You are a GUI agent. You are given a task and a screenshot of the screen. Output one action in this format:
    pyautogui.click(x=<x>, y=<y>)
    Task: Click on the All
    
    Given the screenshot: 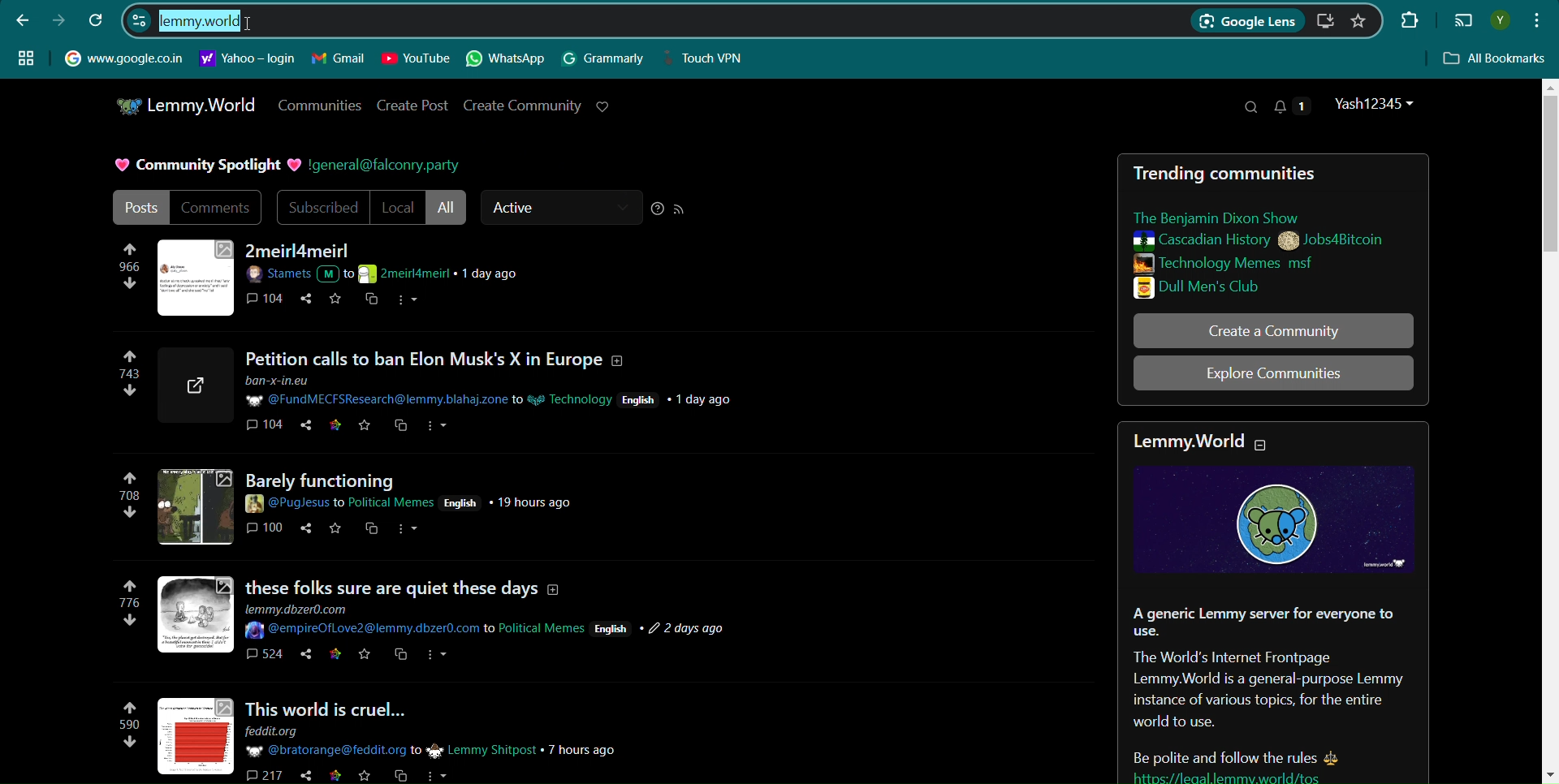 What is the action you would take?
    pyautogui.click(x=448, y=208)
    